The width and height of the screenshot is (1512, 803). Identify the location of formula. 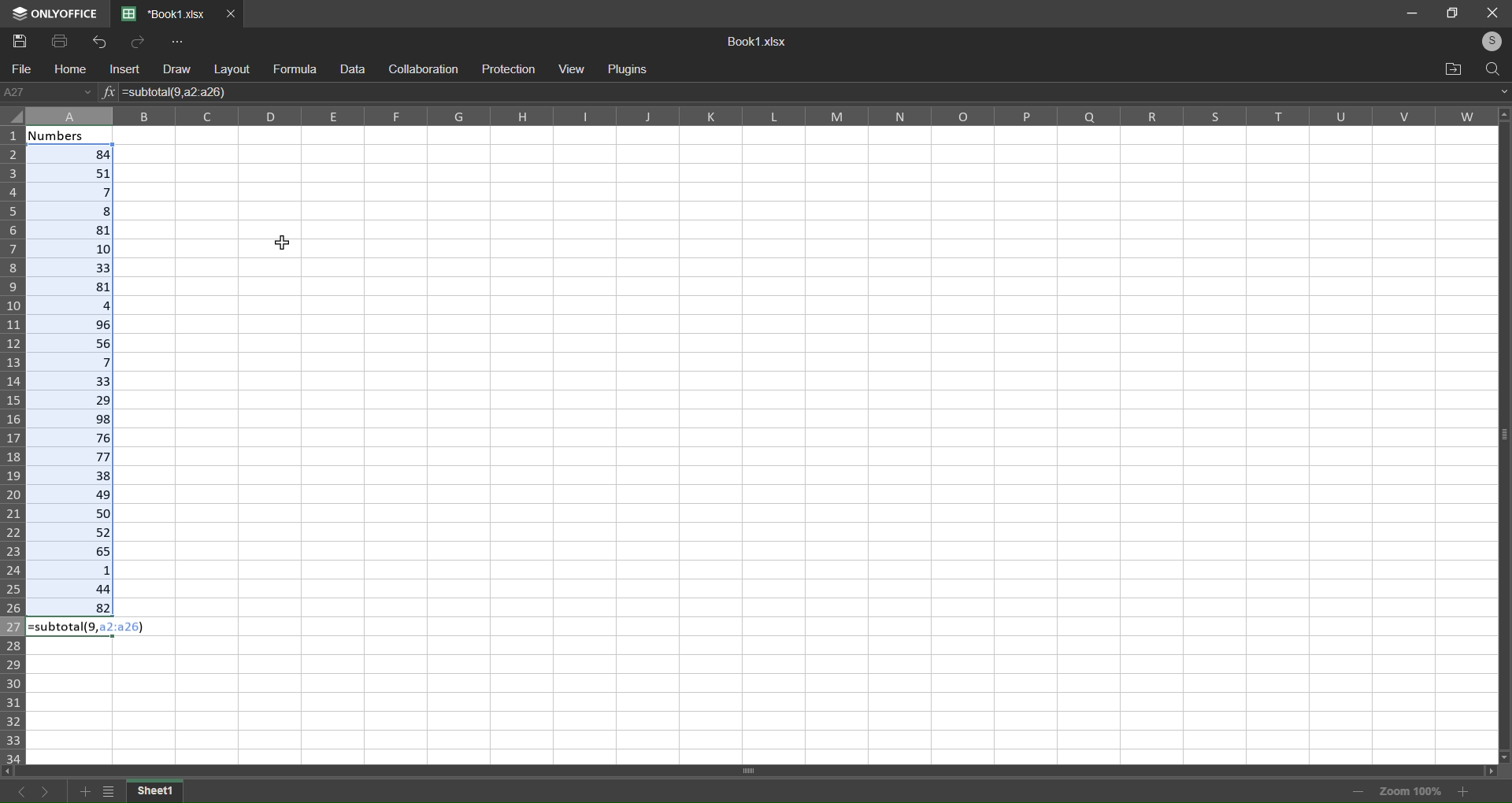
(295, 68).